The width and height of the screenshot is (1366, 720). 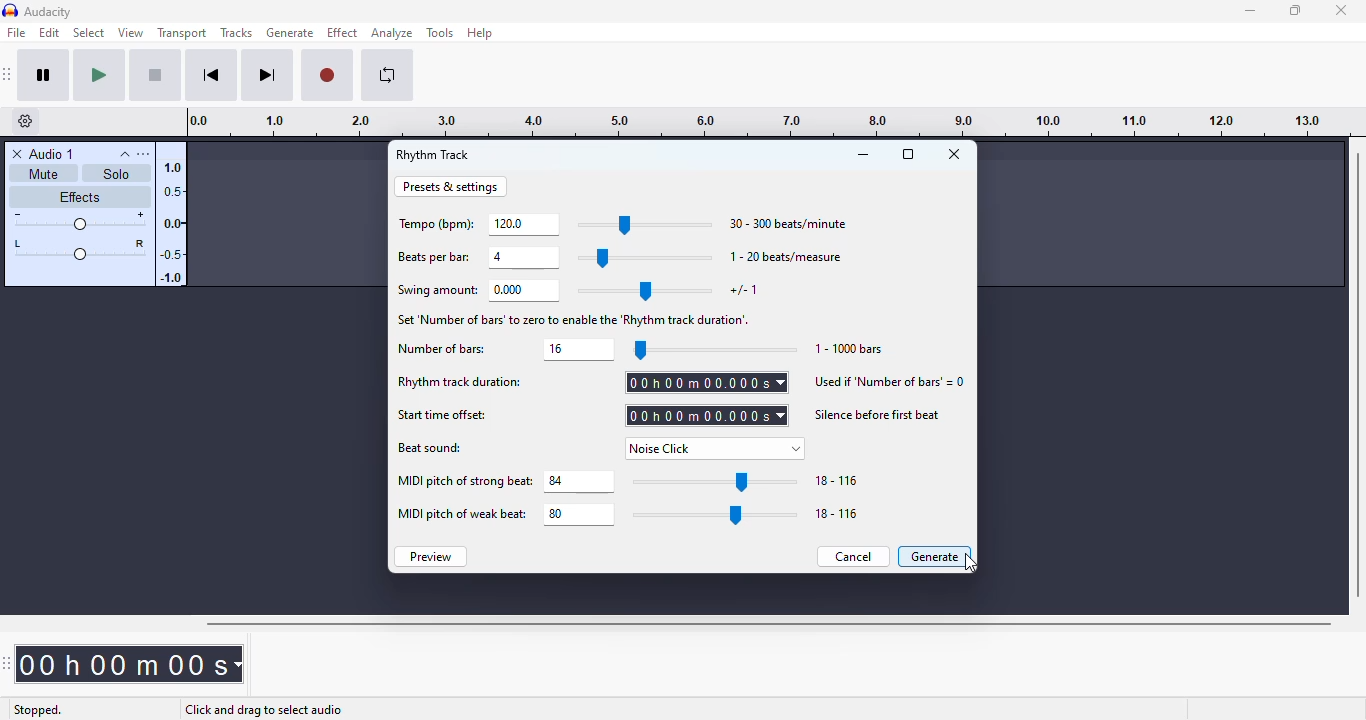 What do you see at coordinates (79, 197) in the screenshot?
I see `effects` at bounding box center [79, 197].